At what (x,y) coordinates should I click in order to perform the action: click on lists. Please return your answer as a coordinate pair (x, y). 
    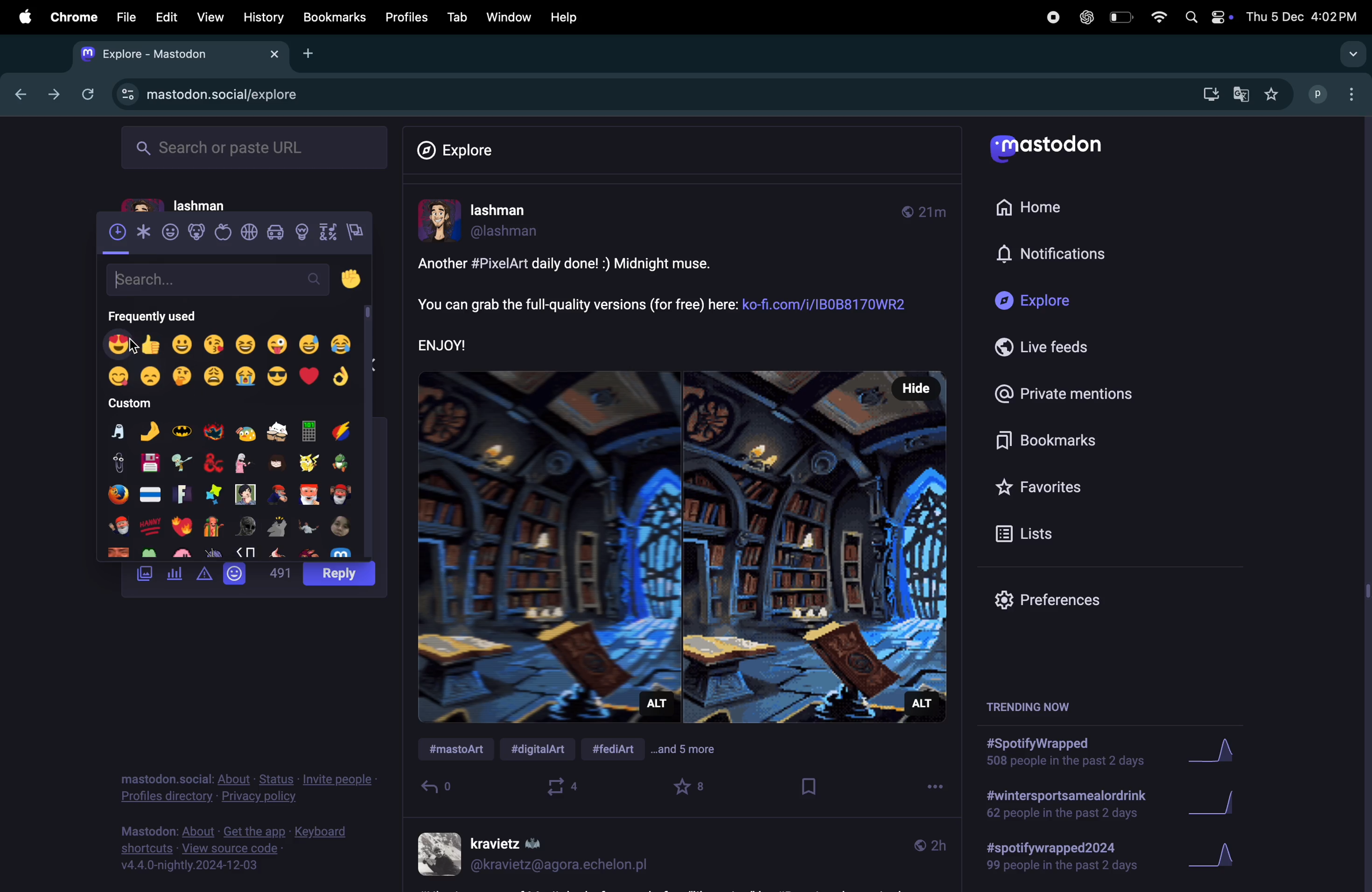
    Looking at the image, I should click on (1039, 532).